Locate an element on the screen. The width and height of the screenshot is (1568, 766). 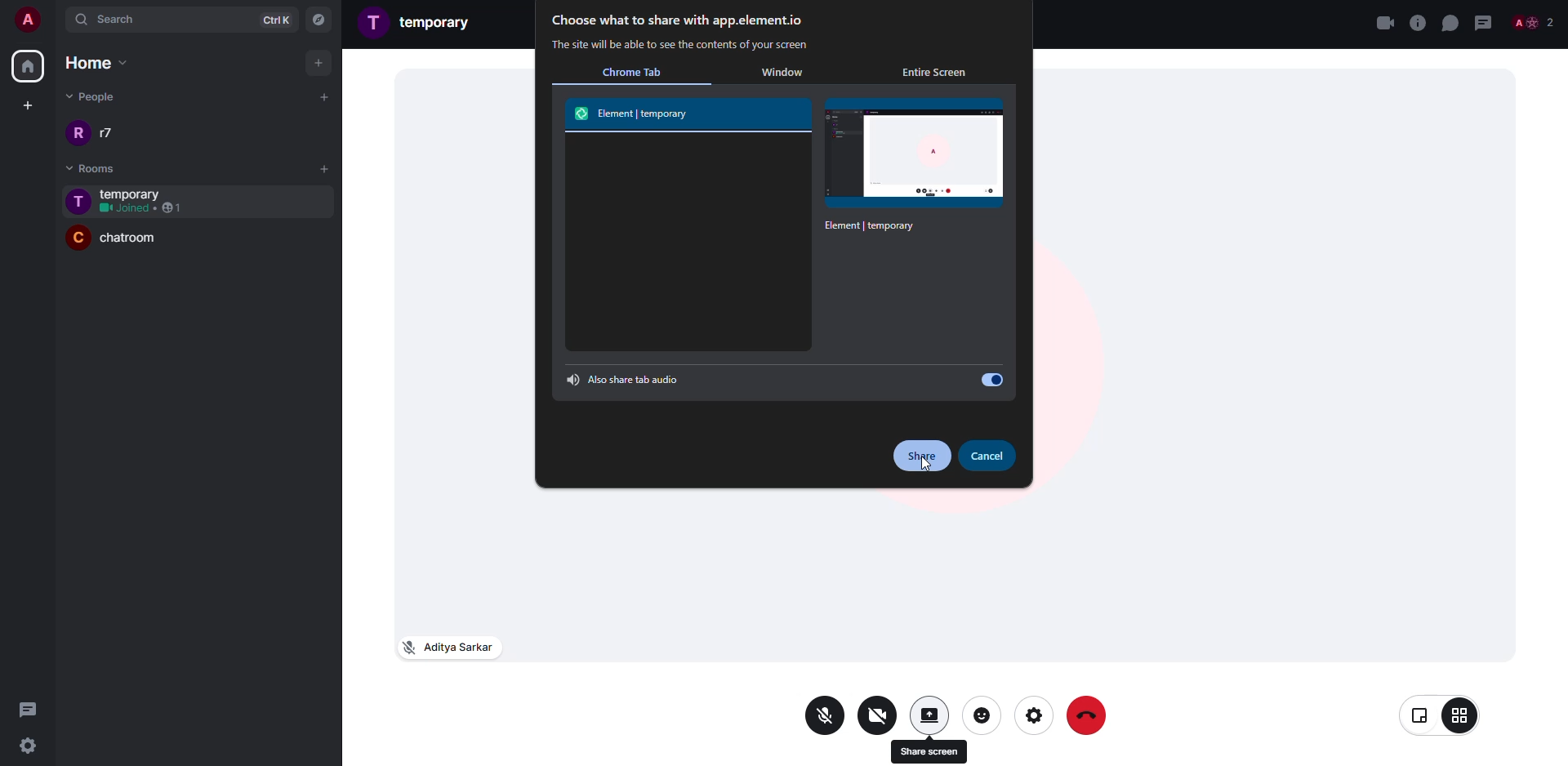
room is located at coordinates (439, 21).